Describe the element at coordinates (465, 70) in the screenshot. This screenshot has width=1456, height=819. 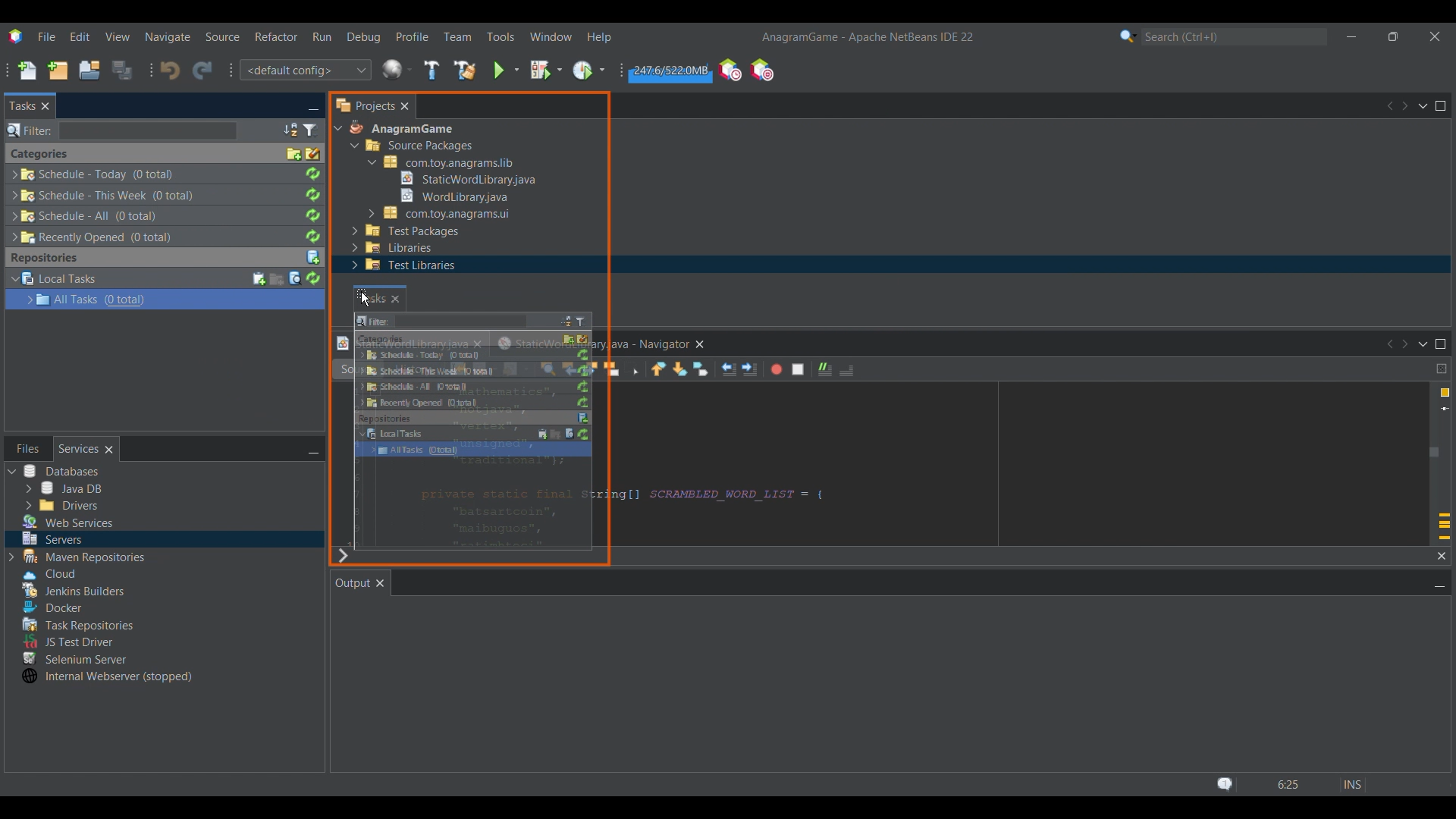
I see `Clean and build main project` at that location.